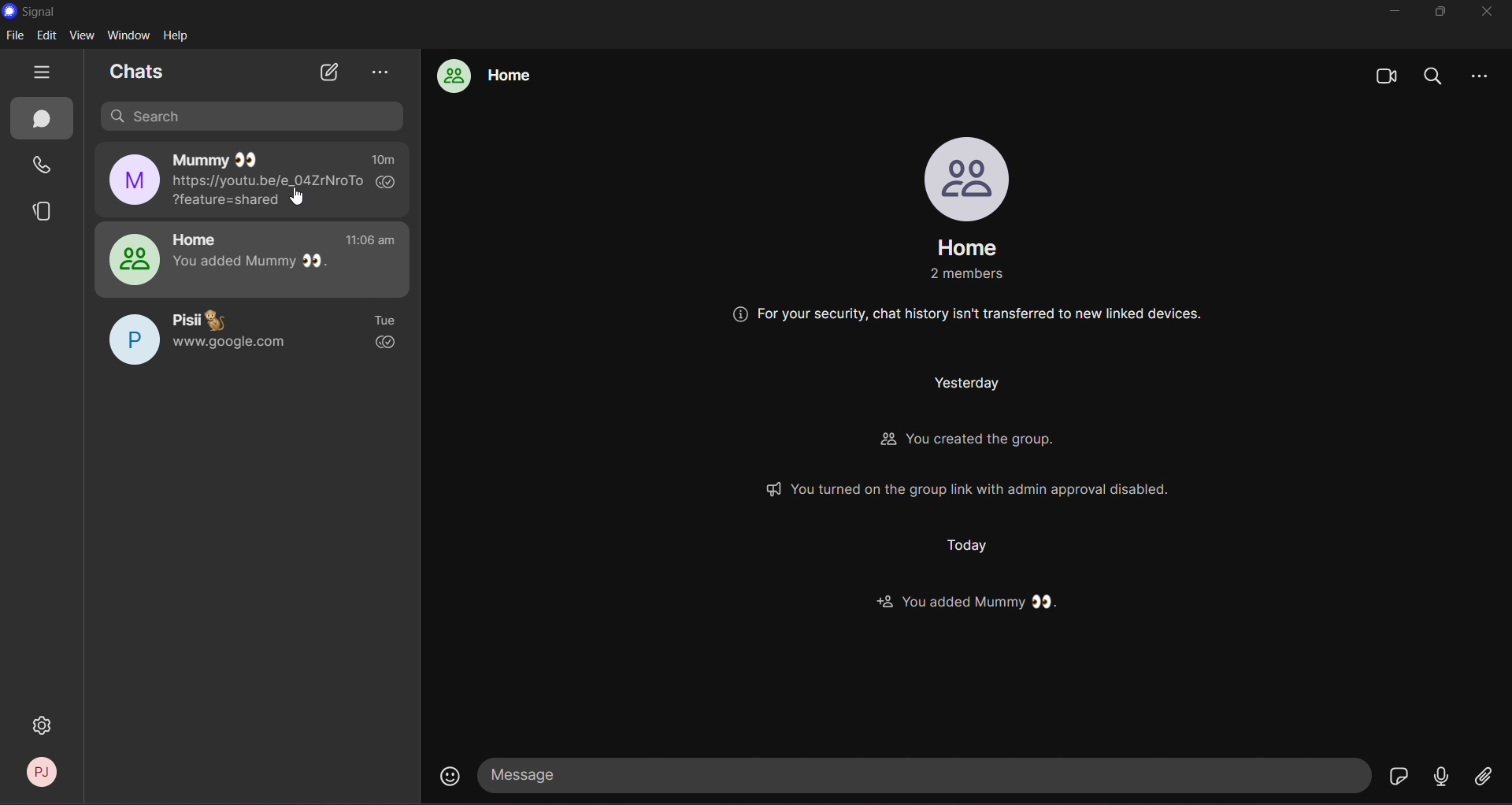  Describe the element at coordinates (1435, 73) in the screenshot. I see `search` at that location.